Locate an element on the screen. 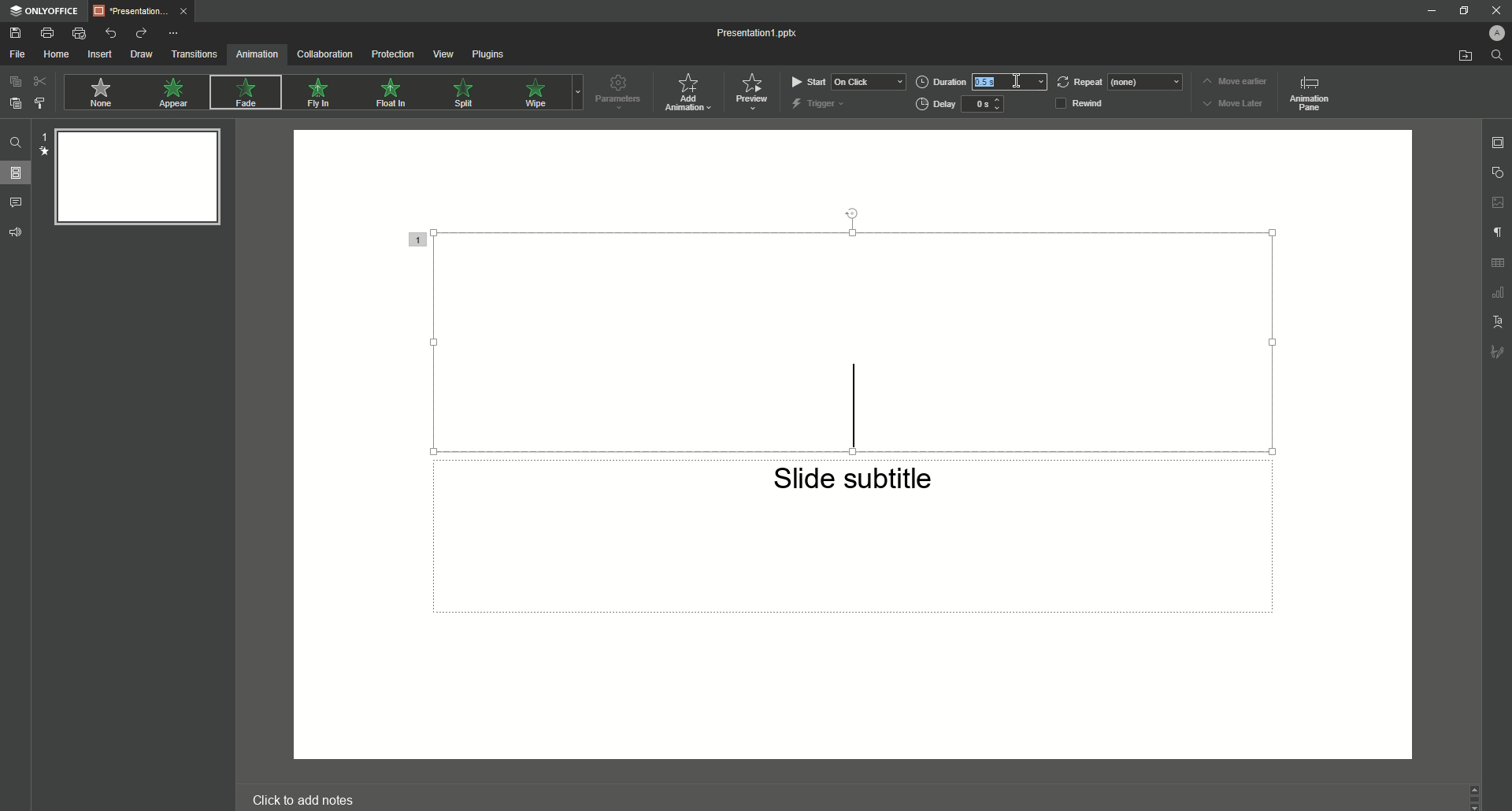 The image size is (1512, 811). Fade is located at coordinates (243, 94).